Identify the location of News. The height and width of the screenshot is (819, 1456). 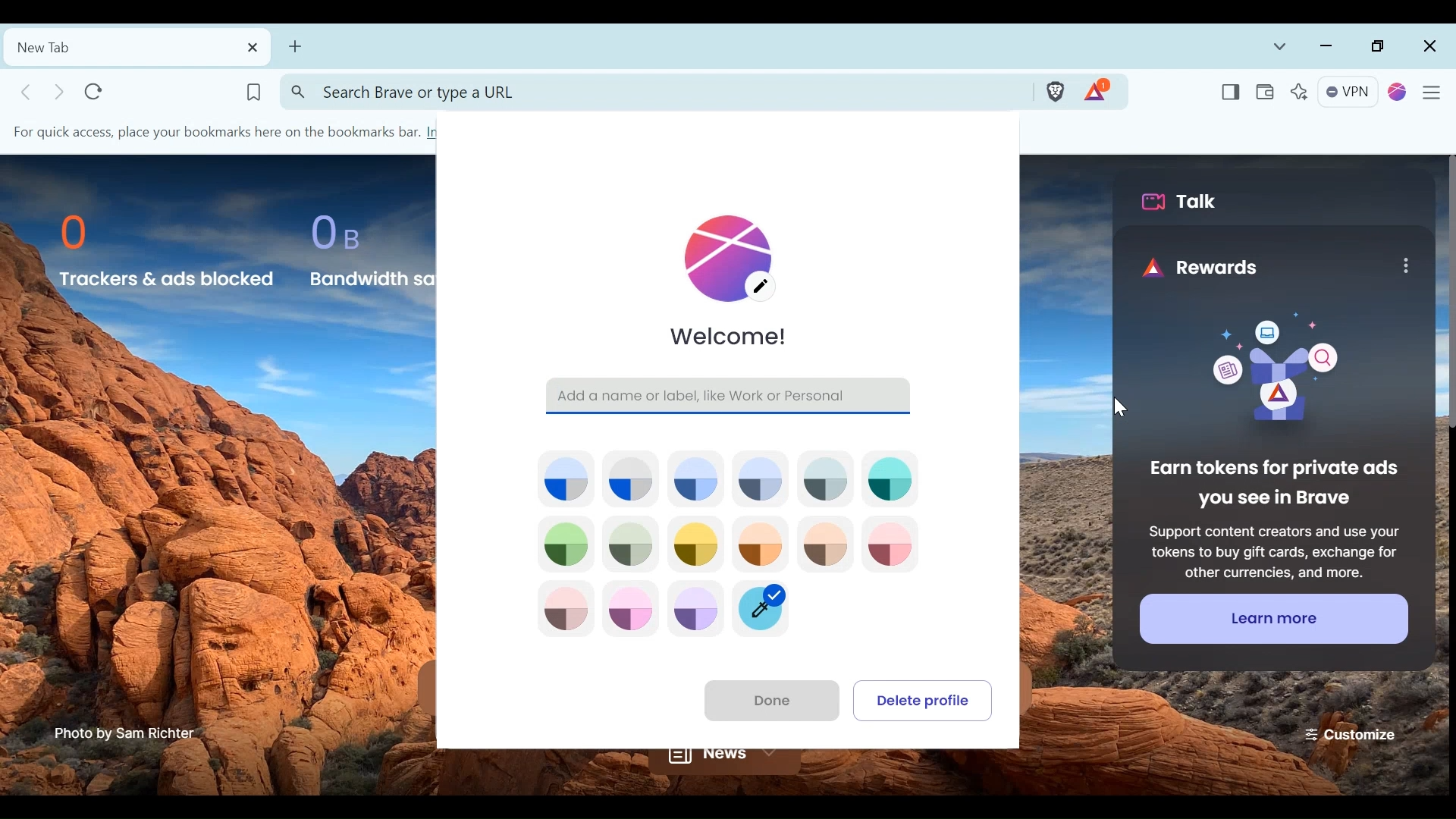
(723, 762).